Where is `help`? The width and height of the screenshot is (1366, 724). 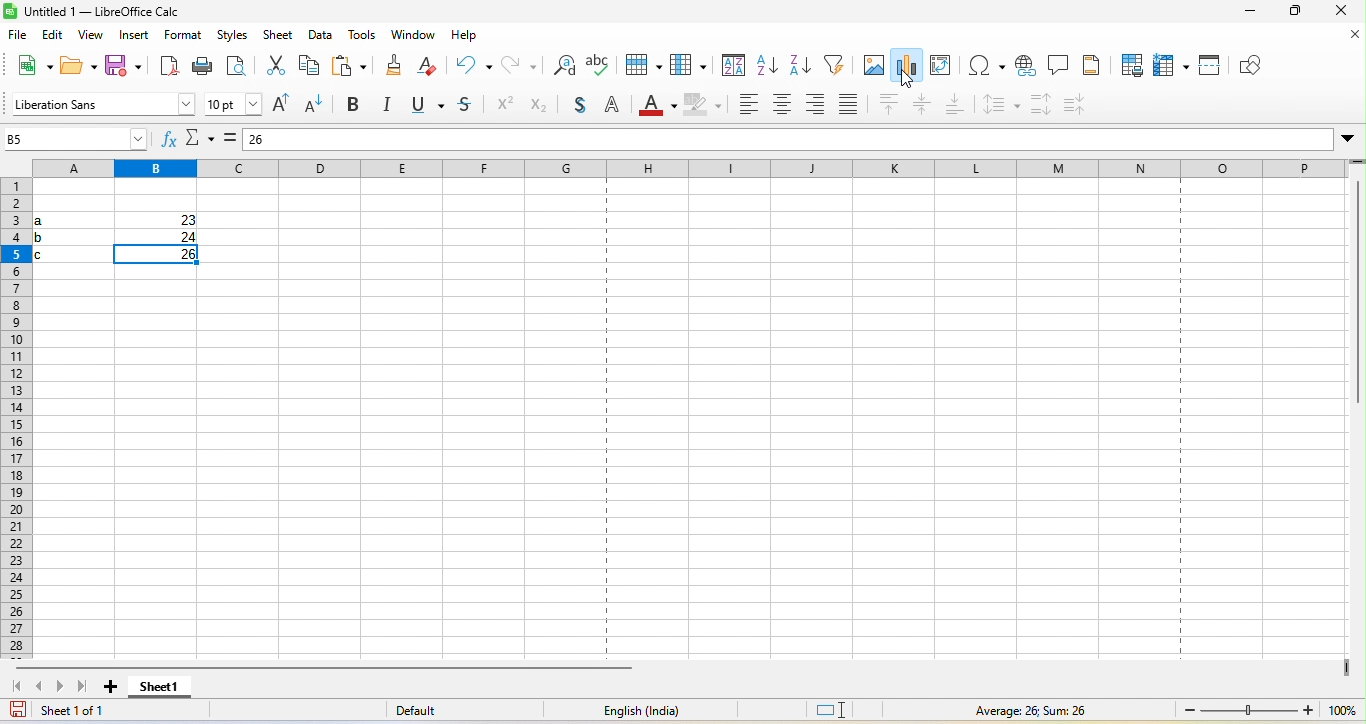 help is located at coordinates (468, 38).